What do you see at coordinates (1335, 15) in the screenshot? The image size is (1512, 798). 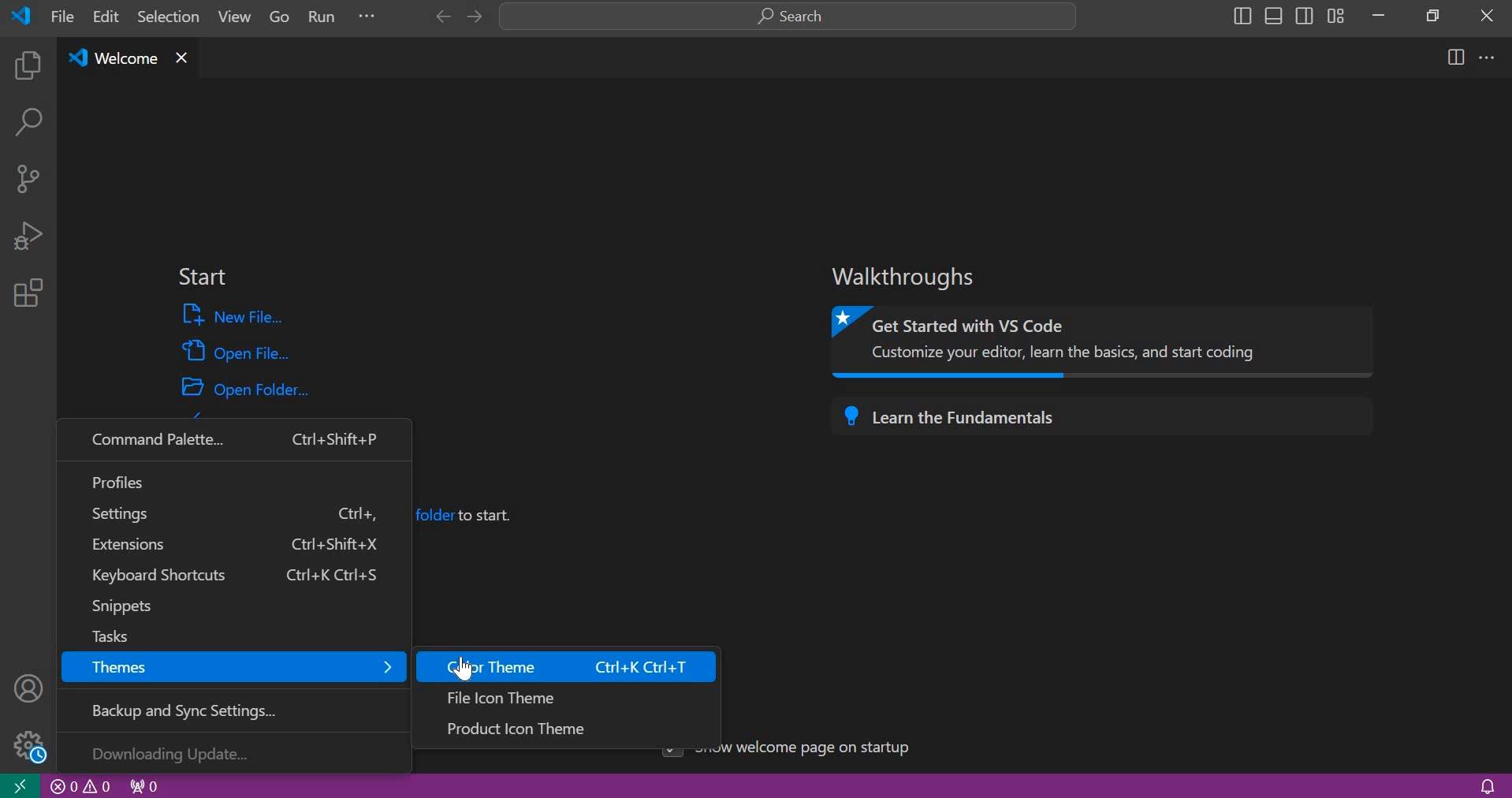 I see `customize layout` at bounding box center [1335, 15].